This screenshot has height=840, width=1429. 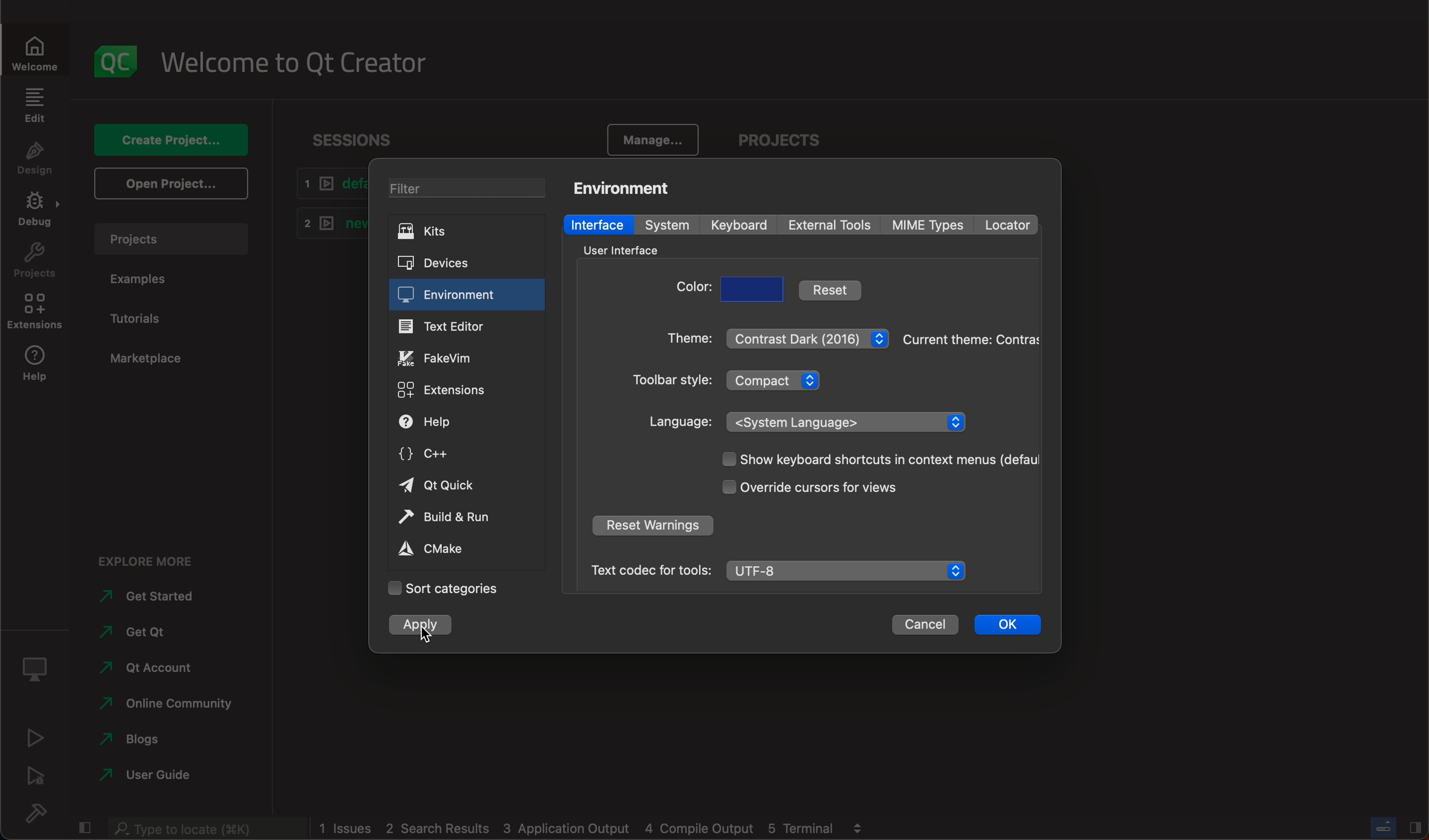 I want to click on interface, so click(x=599, y=224).